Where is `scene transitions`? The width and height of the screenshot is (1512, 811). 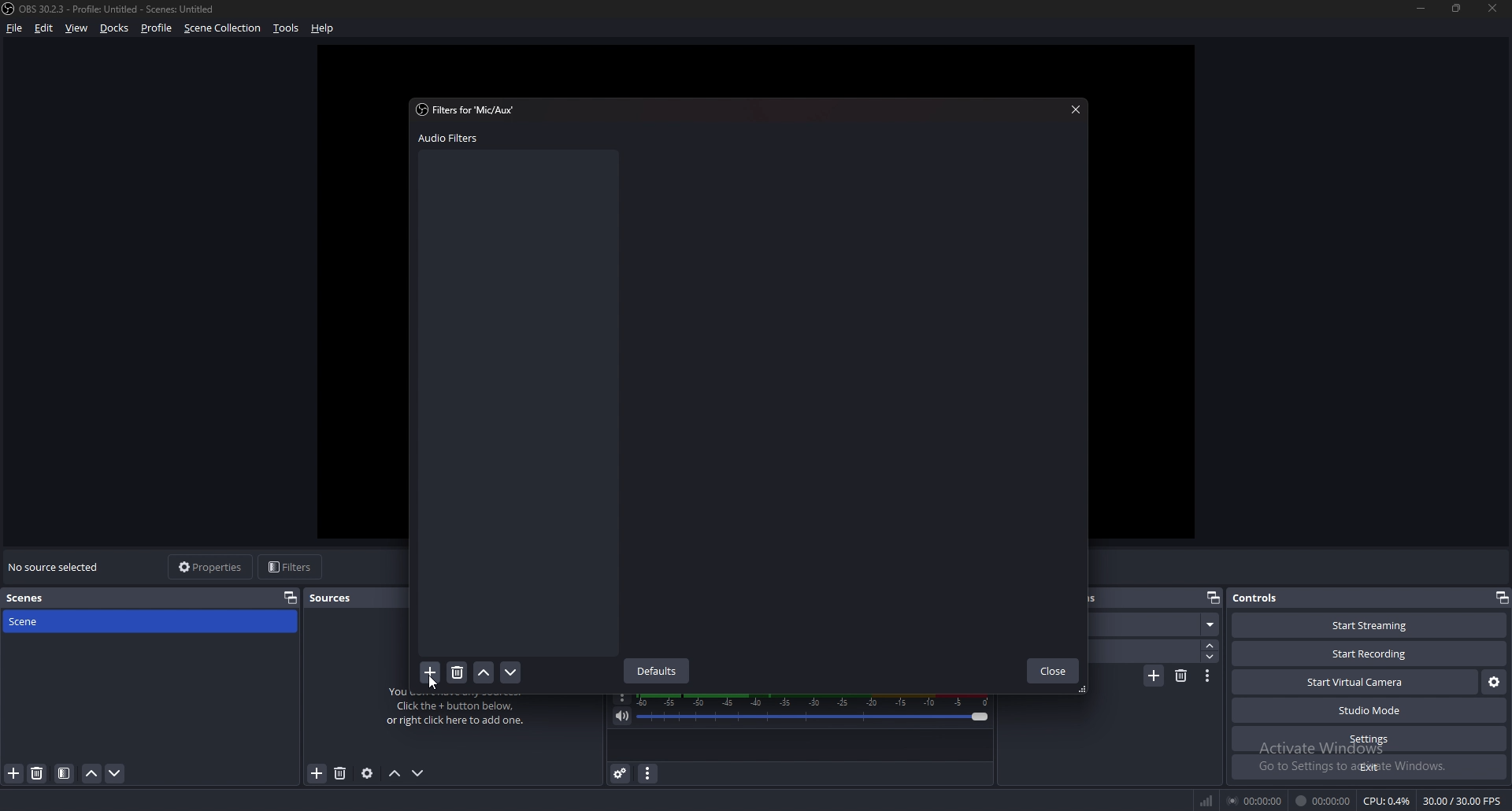
scene transitions is located at coordinates (1142, 597).